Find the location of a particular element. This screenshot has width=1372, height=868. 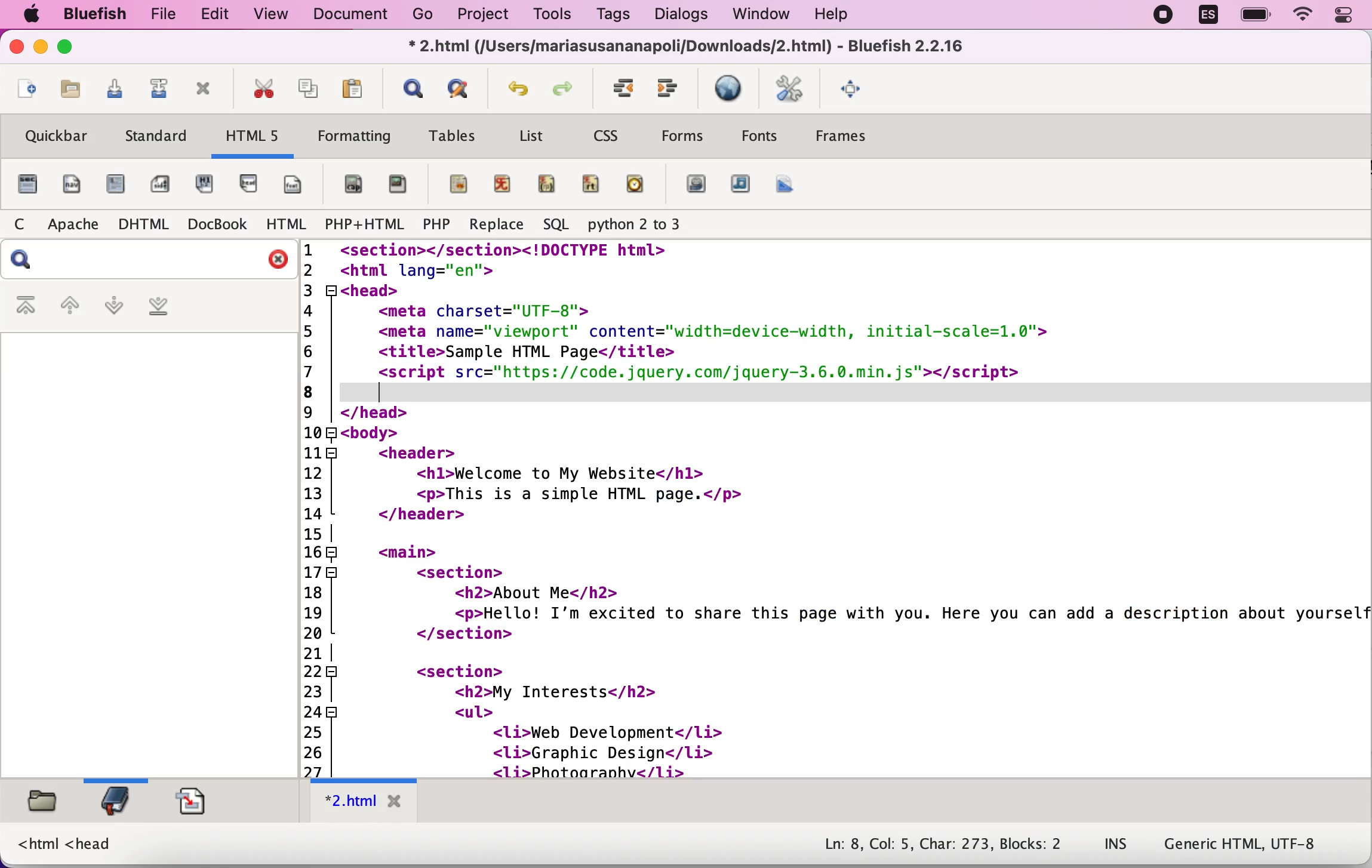

docbook is located at coordinates (216, 226).